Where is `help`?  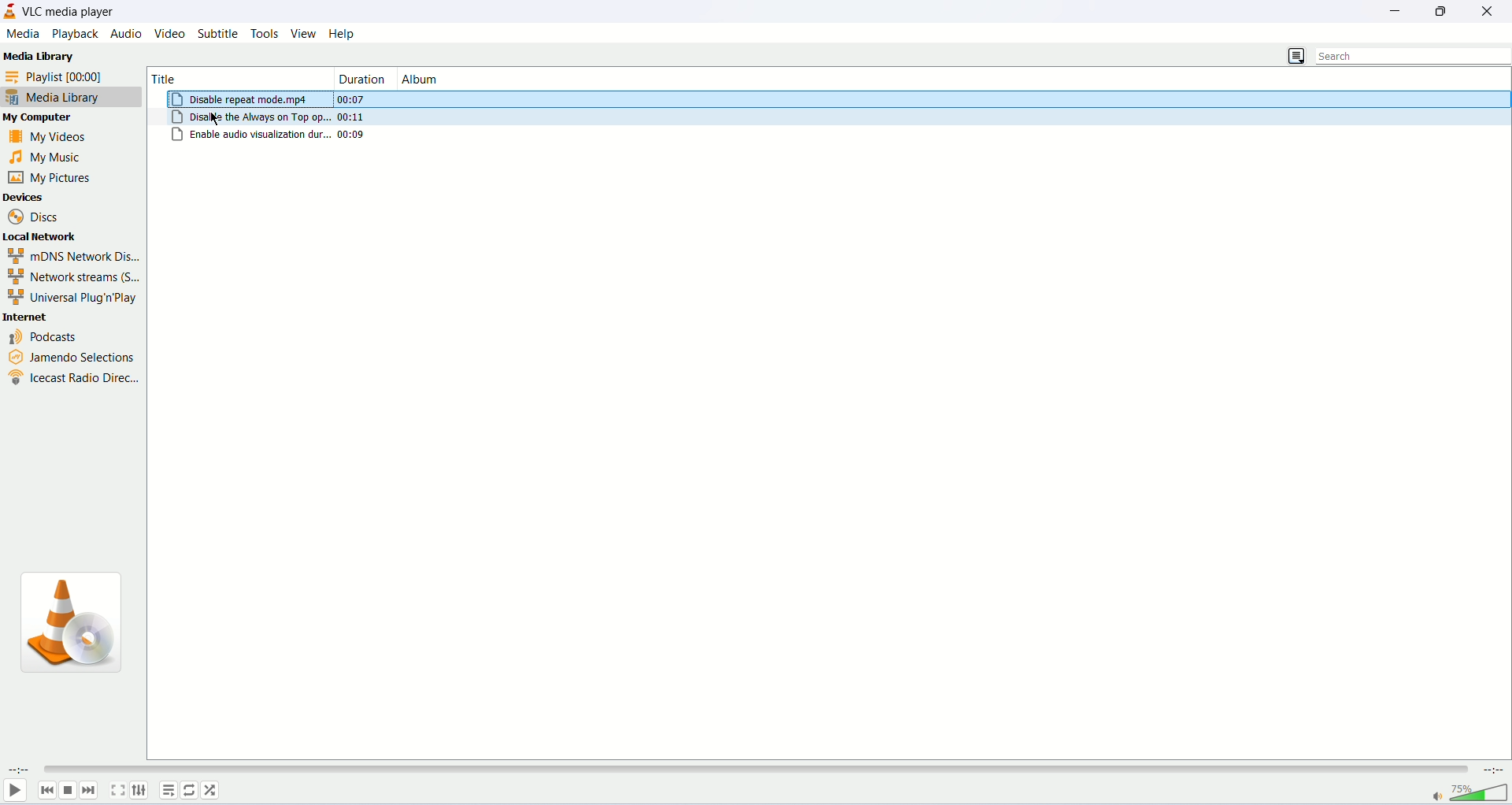 help is located at coordinates (343, 34).